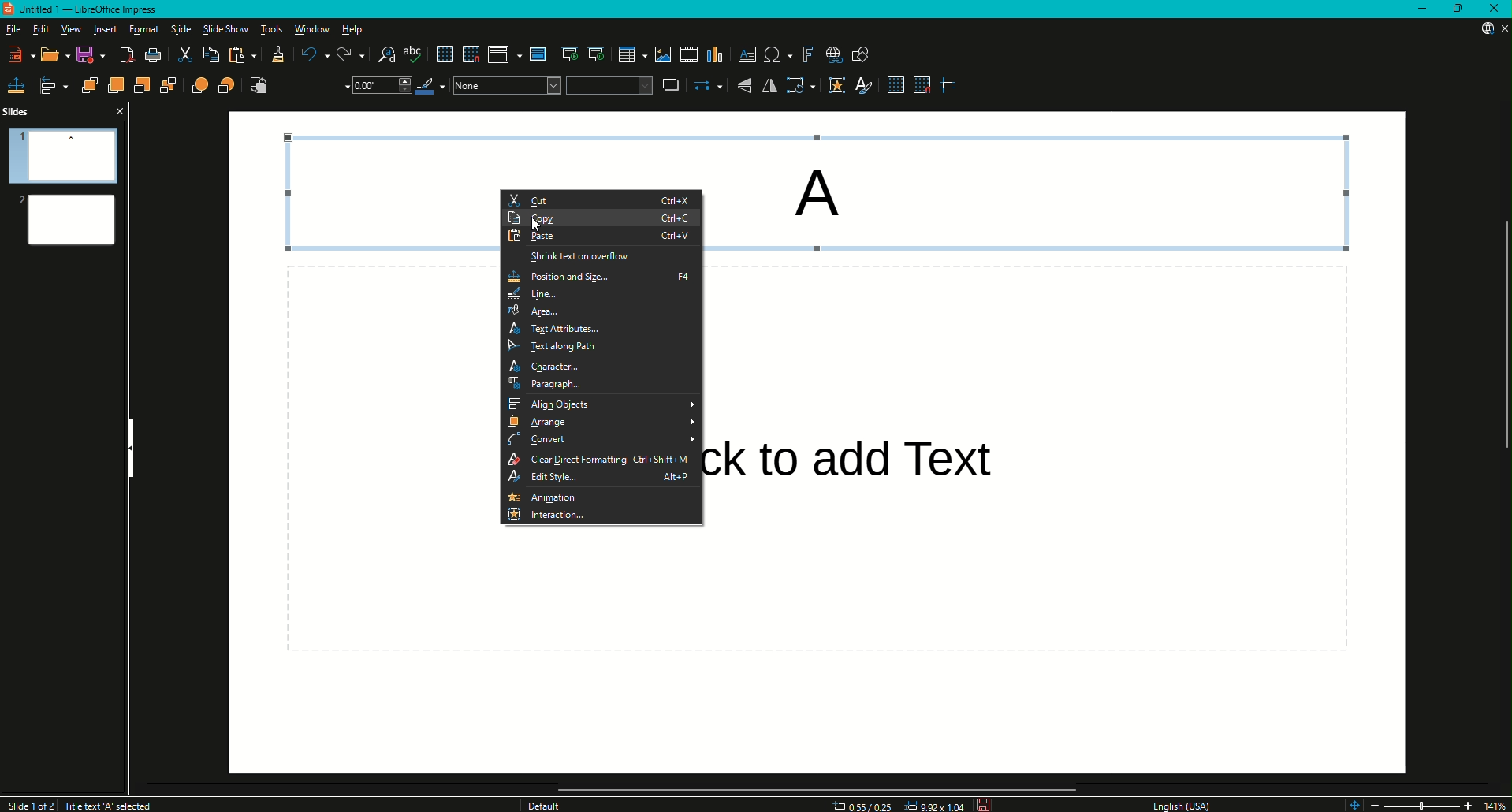  I want to click on Zoom In, so click(1468, 803).